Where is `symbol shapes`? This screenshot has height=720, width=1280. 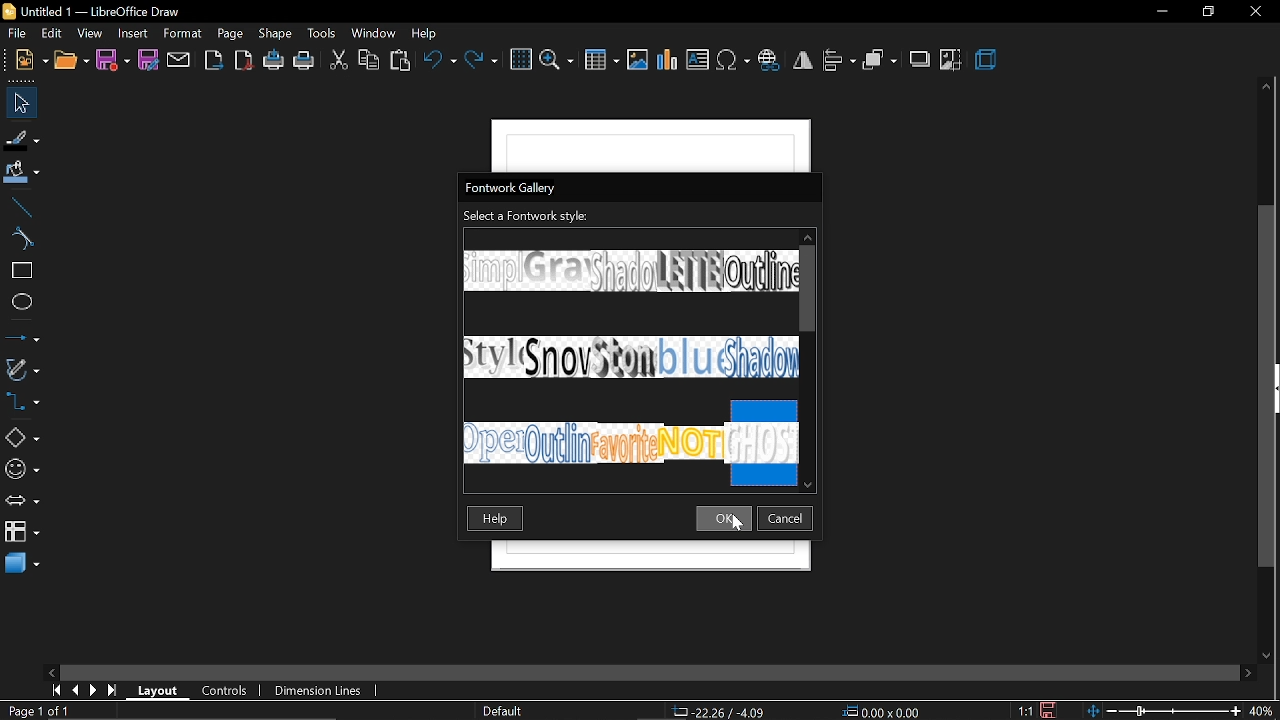 symbol shapes is located at coordinates (22, 471).